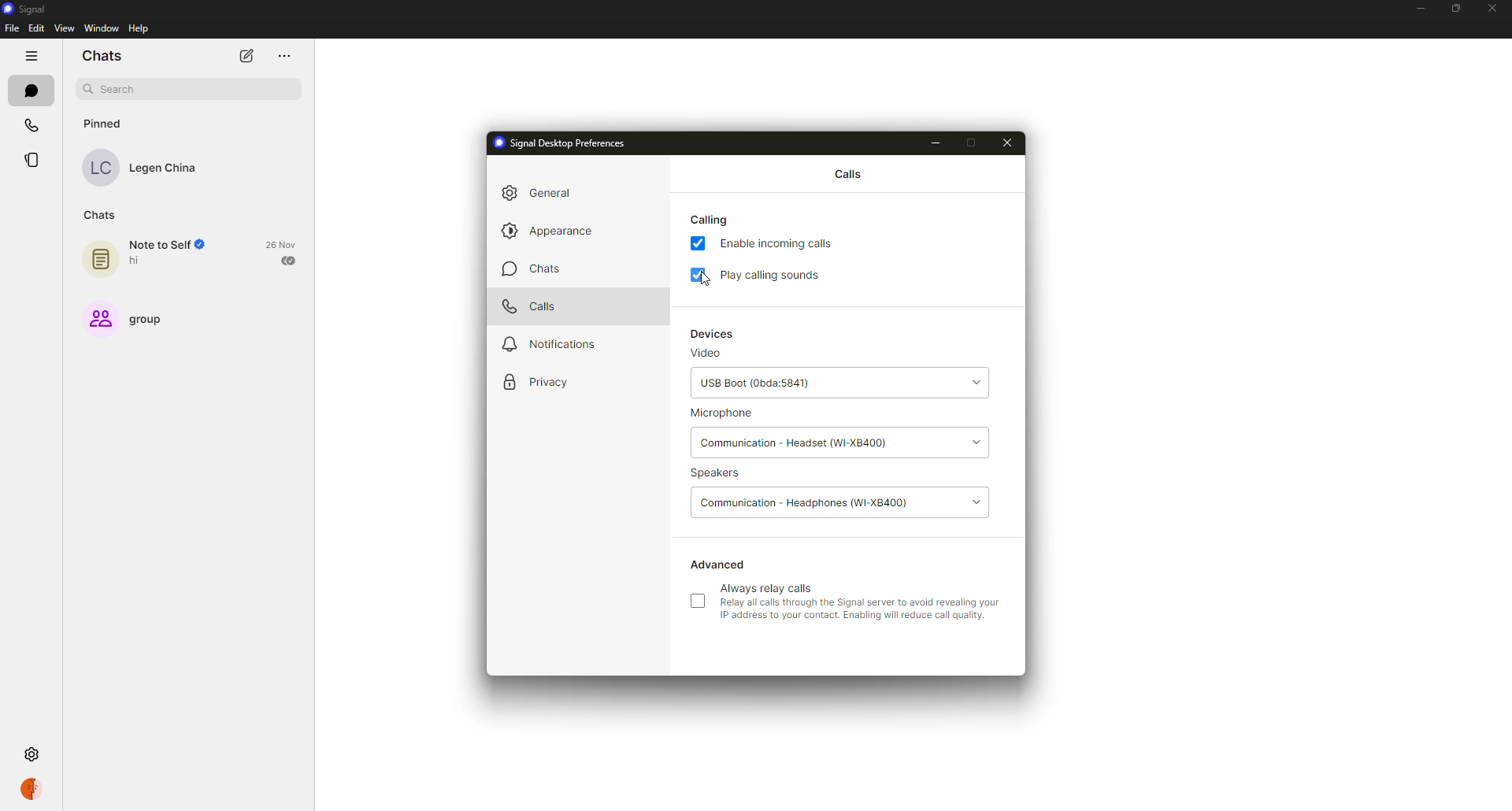 The image size is (1512, 811). I want to click on privacy, so click(540, 380).